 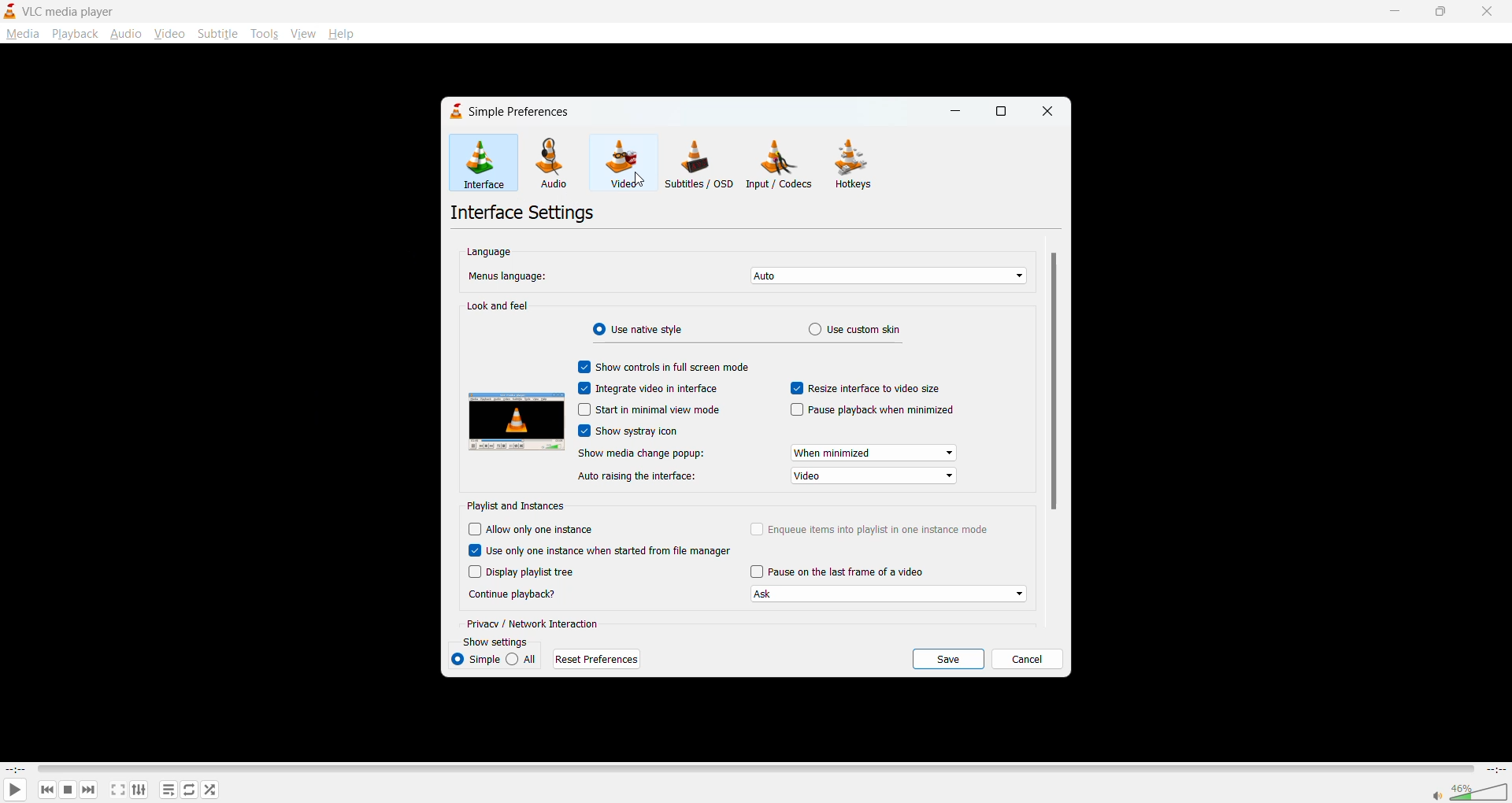 What do you see at coordinates (16, 768) in the screenshot?
I see `current track time` at bounding box center [16, 768].